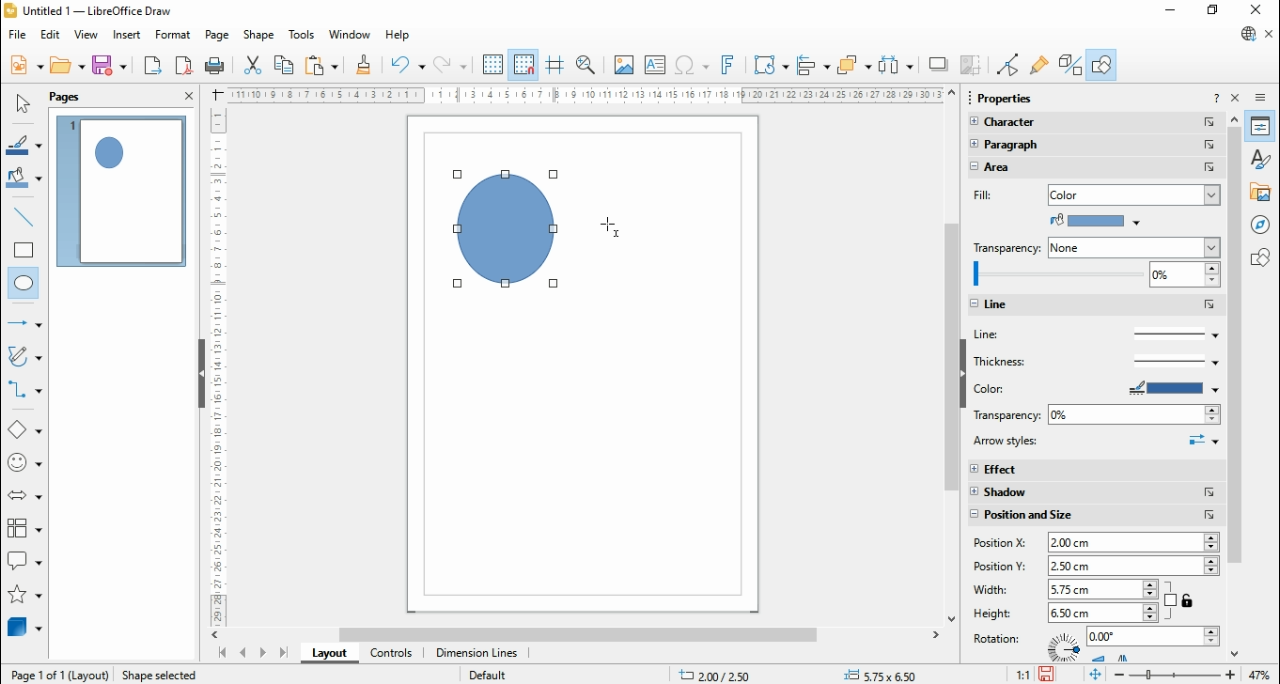 This screenshot has height=684, width=1280. What do you see at coordinates (478, 653) in the screenshot?
I see `dimension lines` at bounding box center [478, 653].